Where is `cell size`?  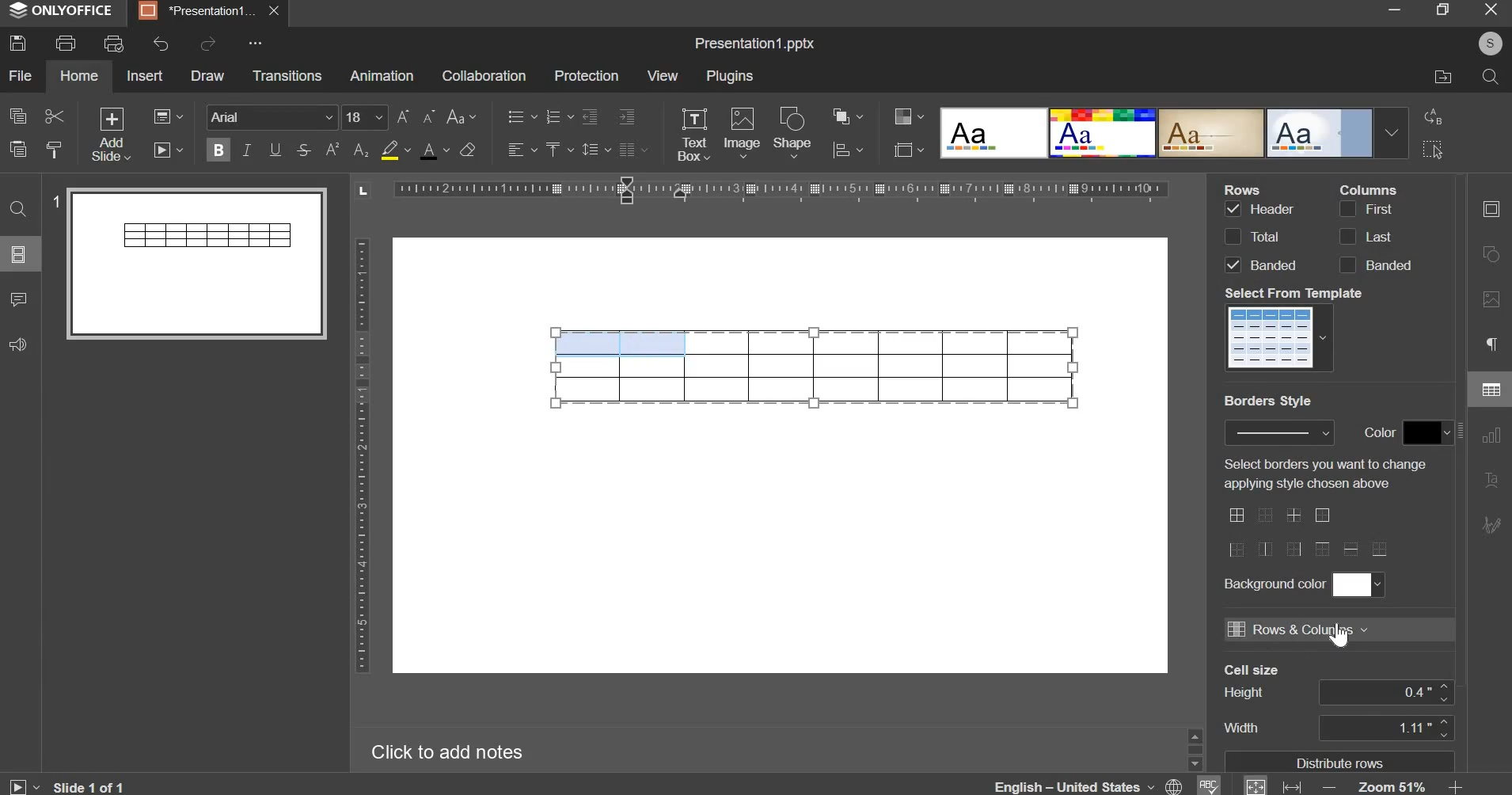
cell size is located at coordinates (1386, 692).